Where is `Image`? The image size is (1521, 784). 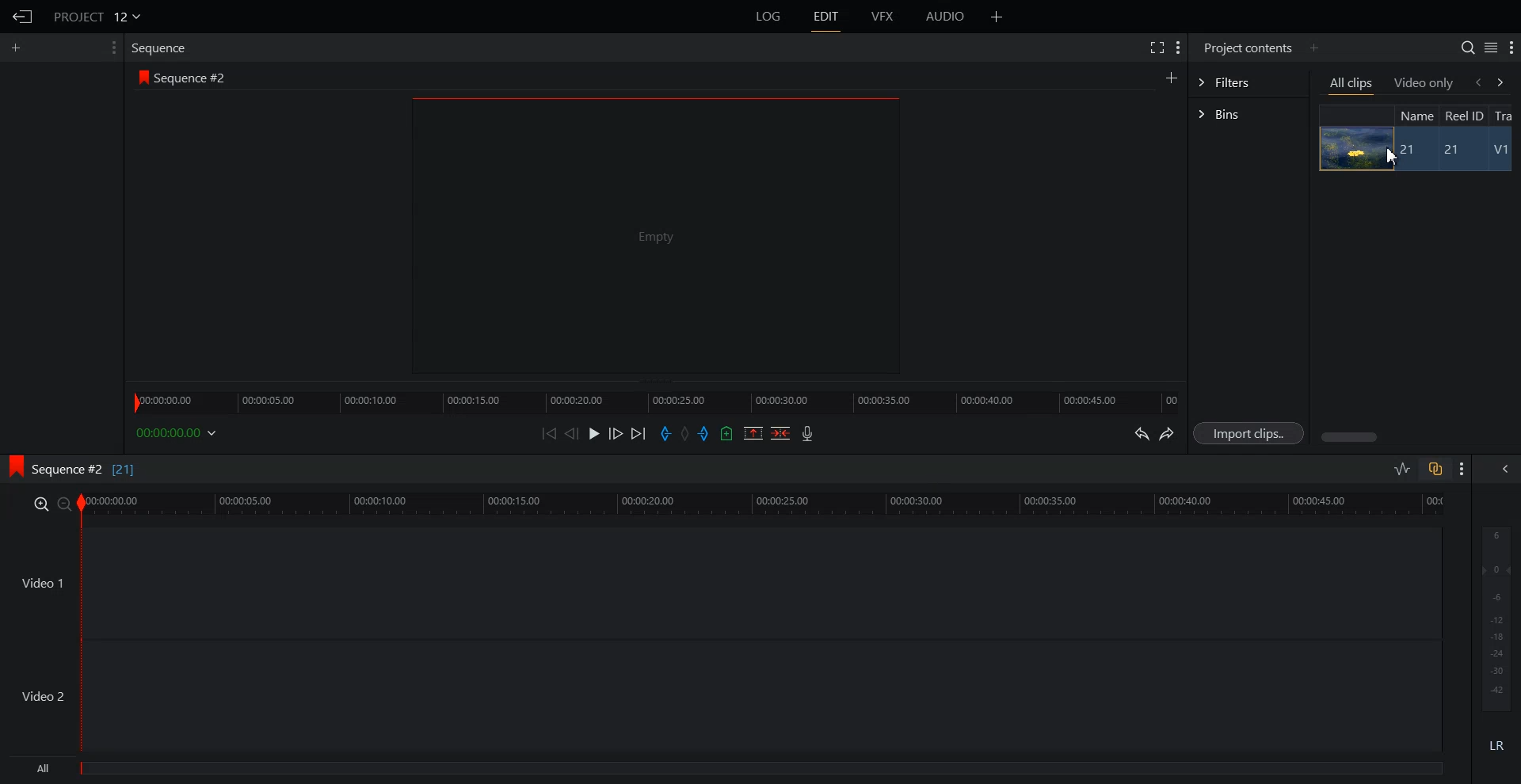
Image is located at coordinates (1351, 148).